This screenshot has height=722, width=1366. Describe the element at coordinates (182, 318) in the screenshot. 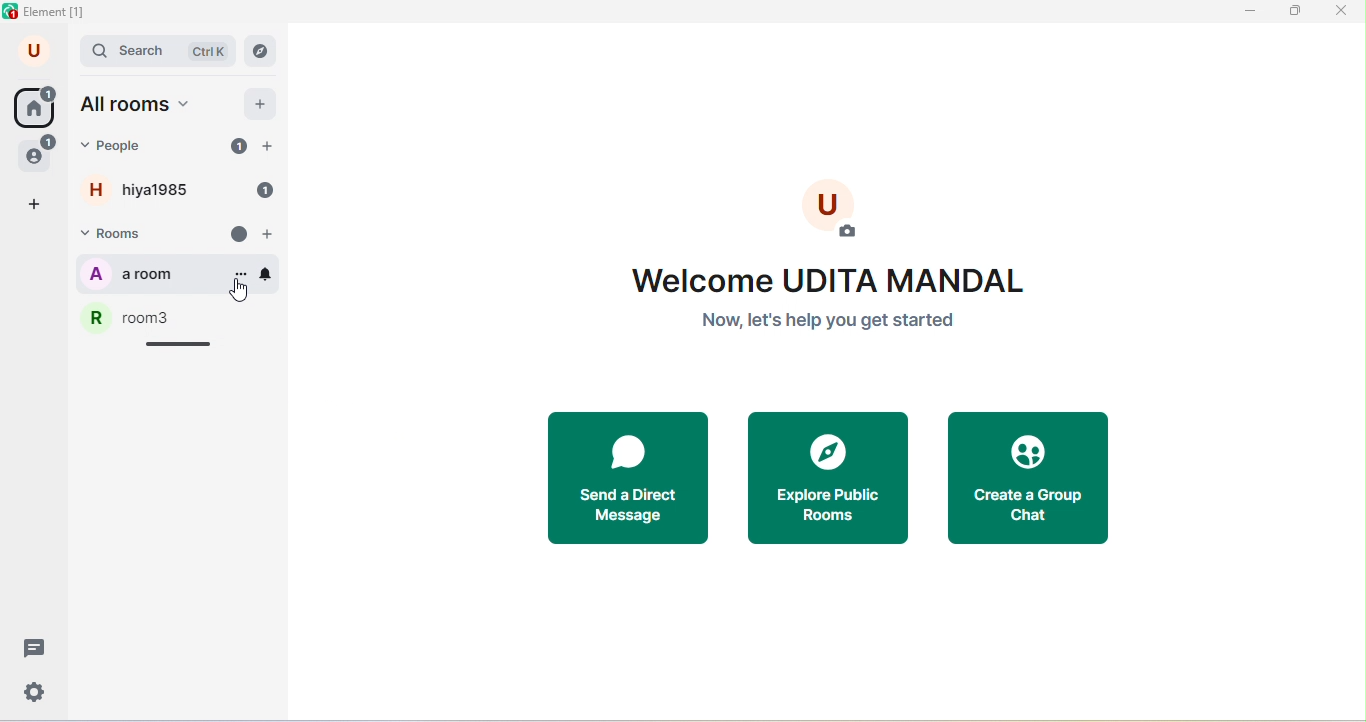

I see `room3` at that location.